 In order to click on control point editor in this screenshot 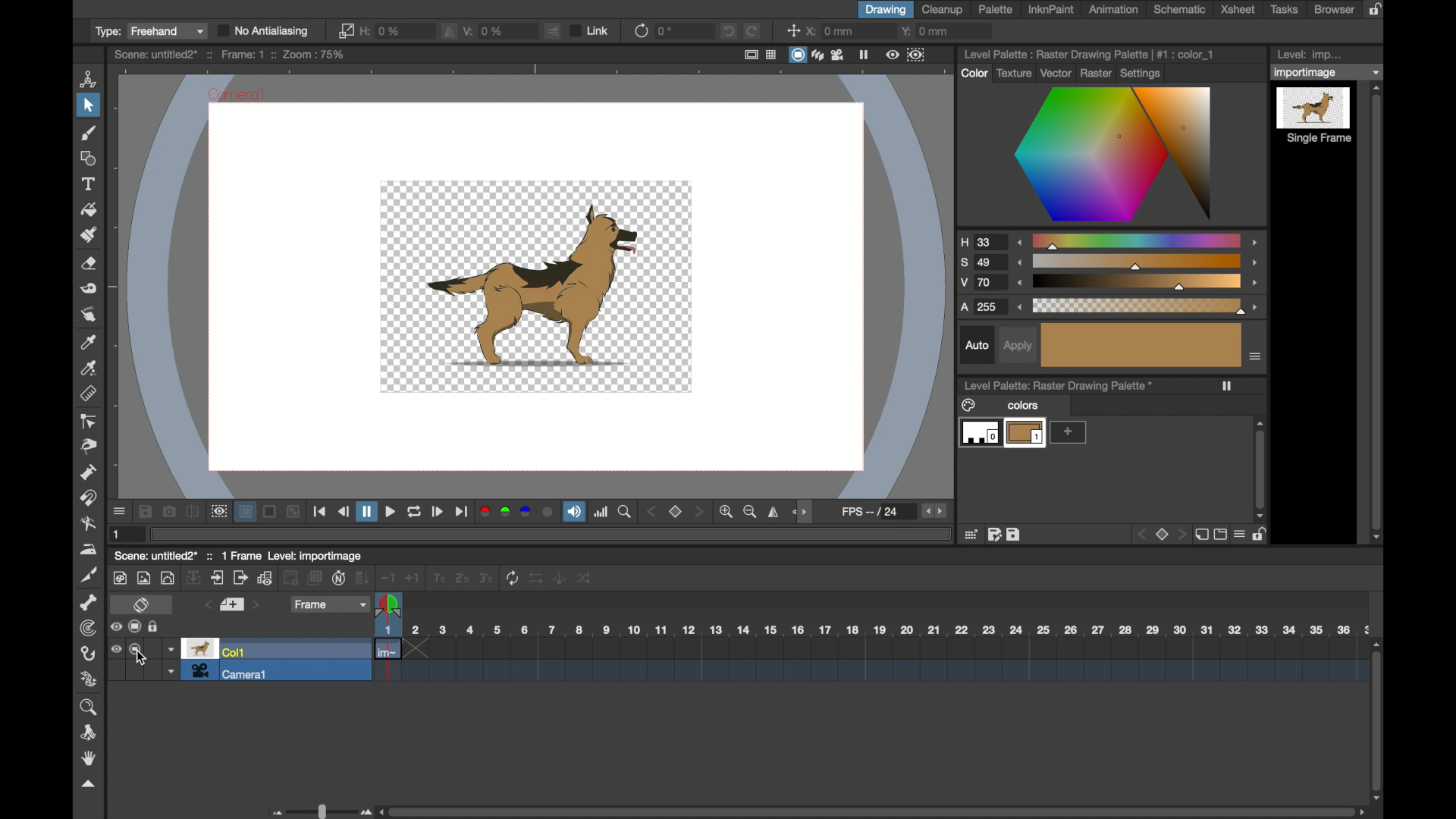, I will do `click(89, 422)`.